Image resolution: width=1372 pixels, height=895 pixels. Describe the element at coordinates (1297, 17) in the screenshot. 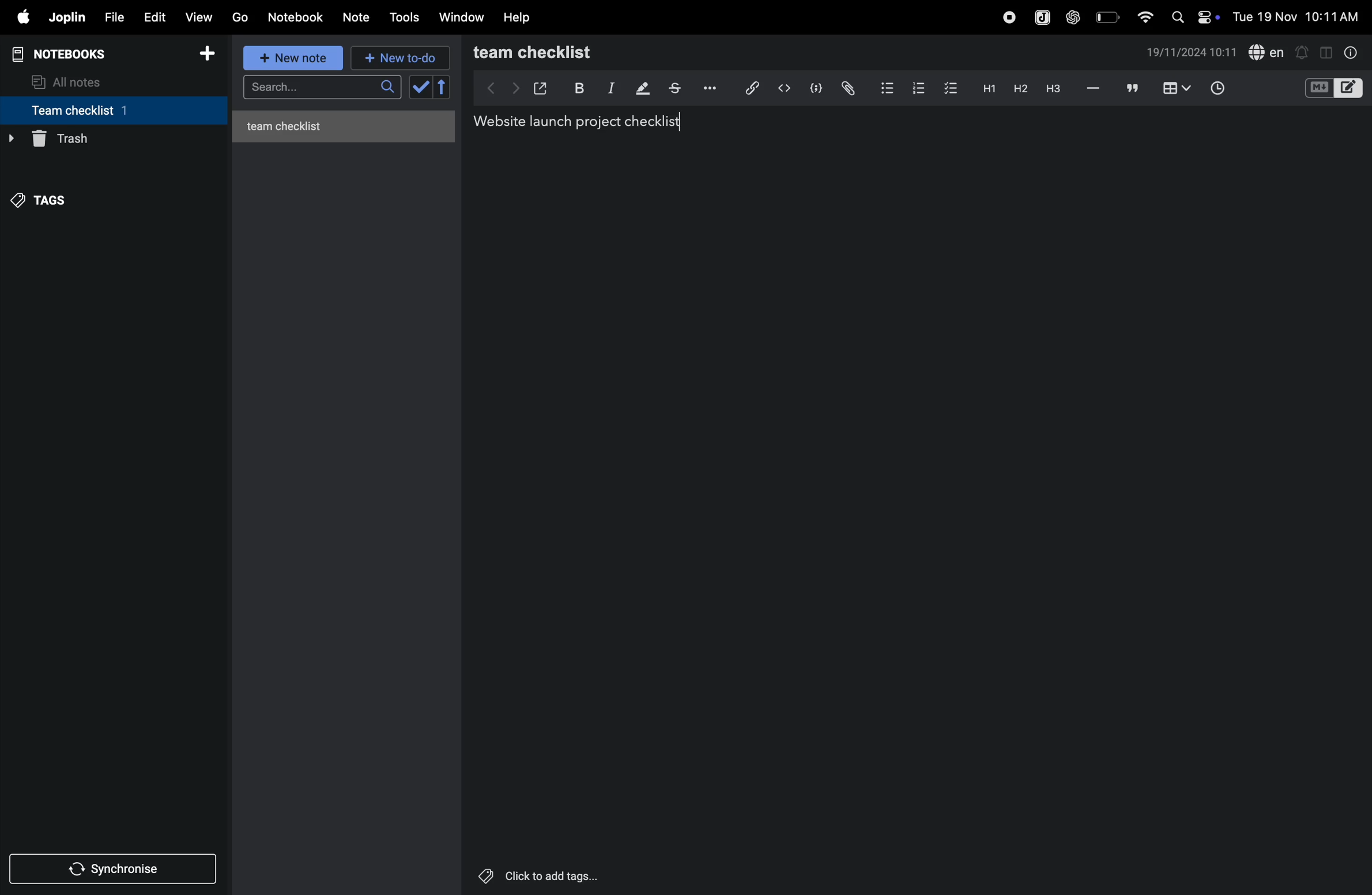

I see `date and time` at that location.